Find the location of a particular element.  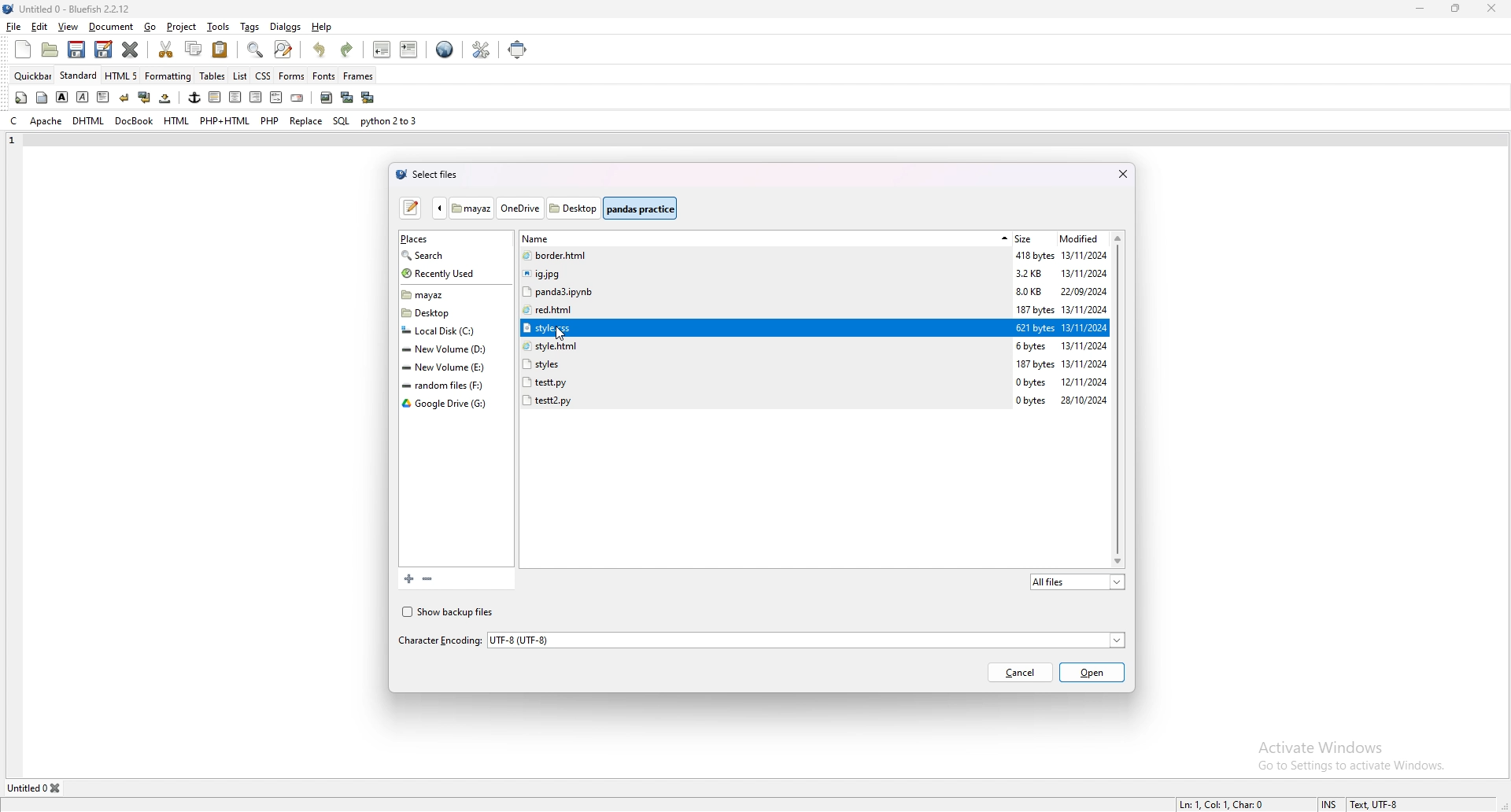

modified is located at coordinates (1081, 238).